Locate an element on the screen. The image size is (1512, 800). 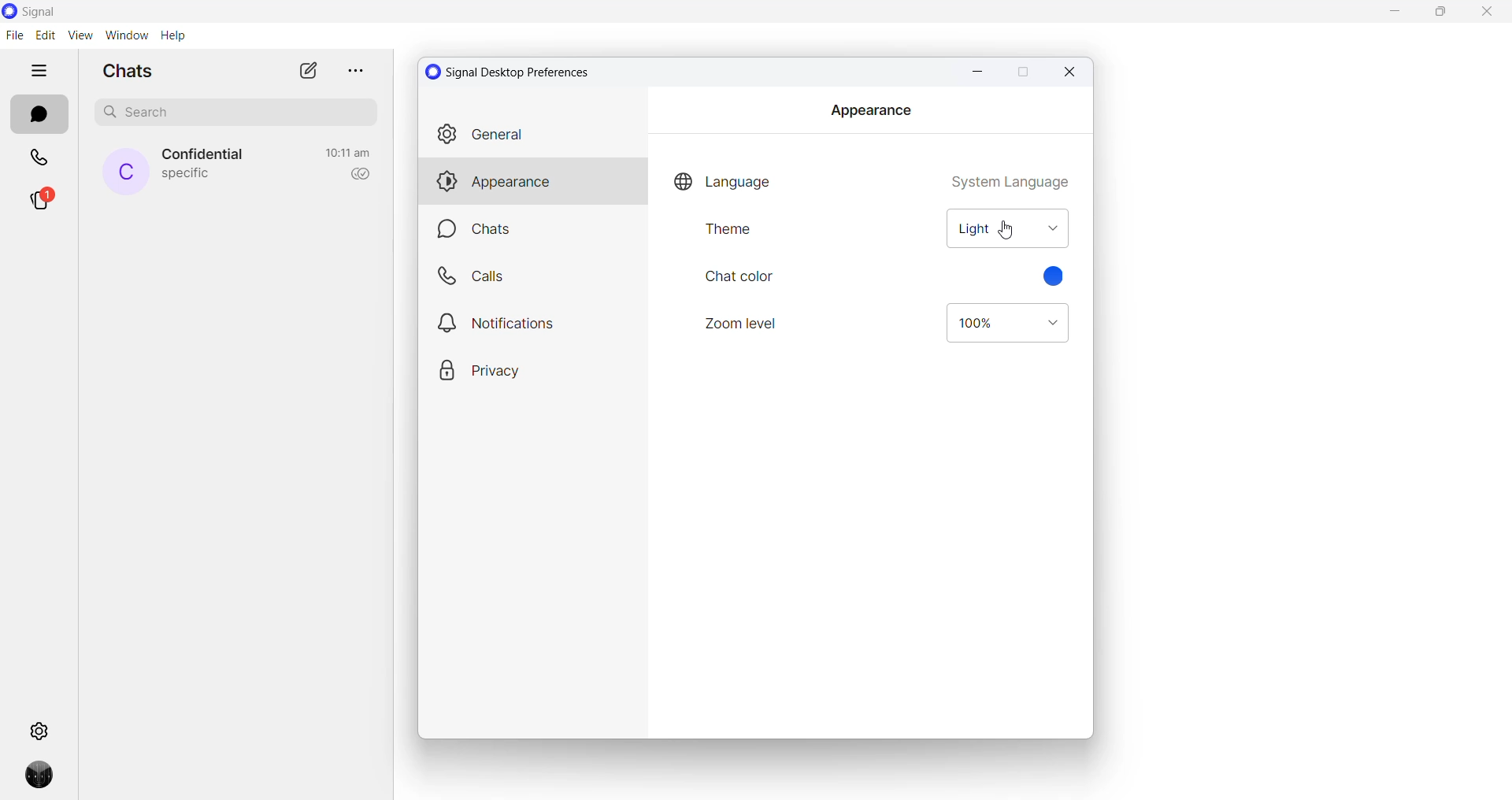
maximize is located at coordinates (1021, 73).